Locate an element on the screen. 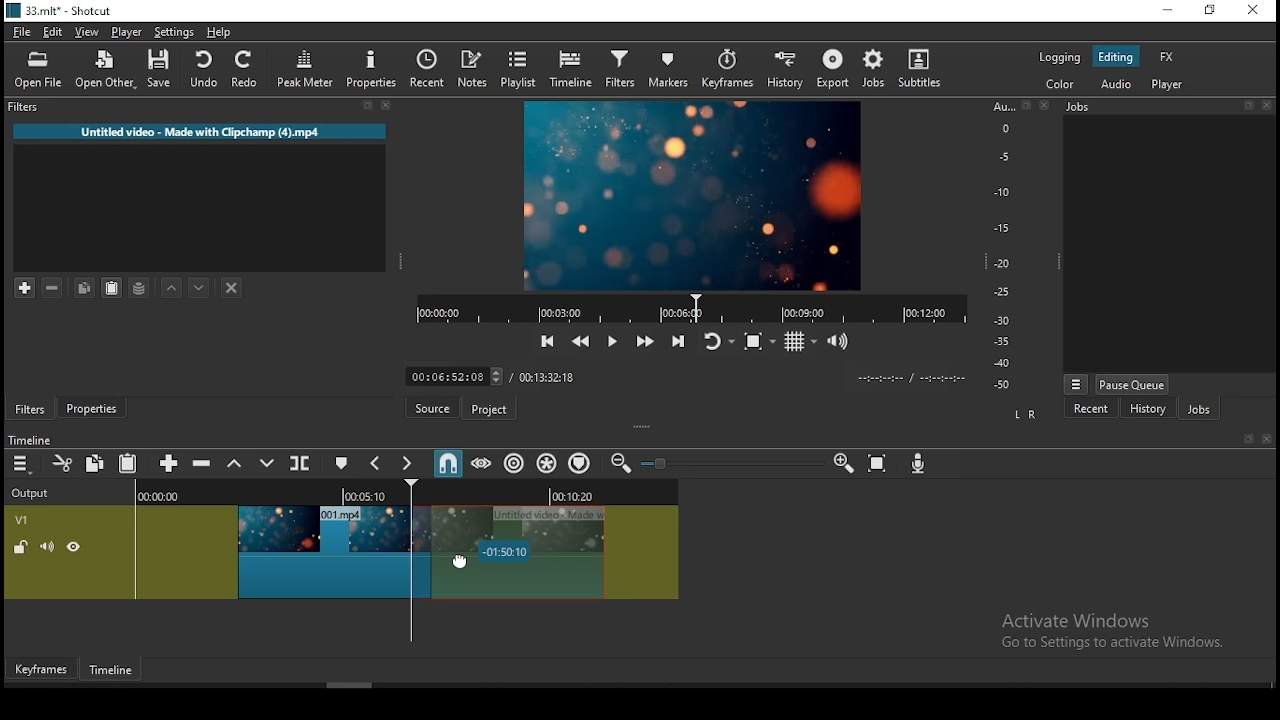 This screenshot has height=720, width=1280. toggle player looping is located at coordinates (717, 342).